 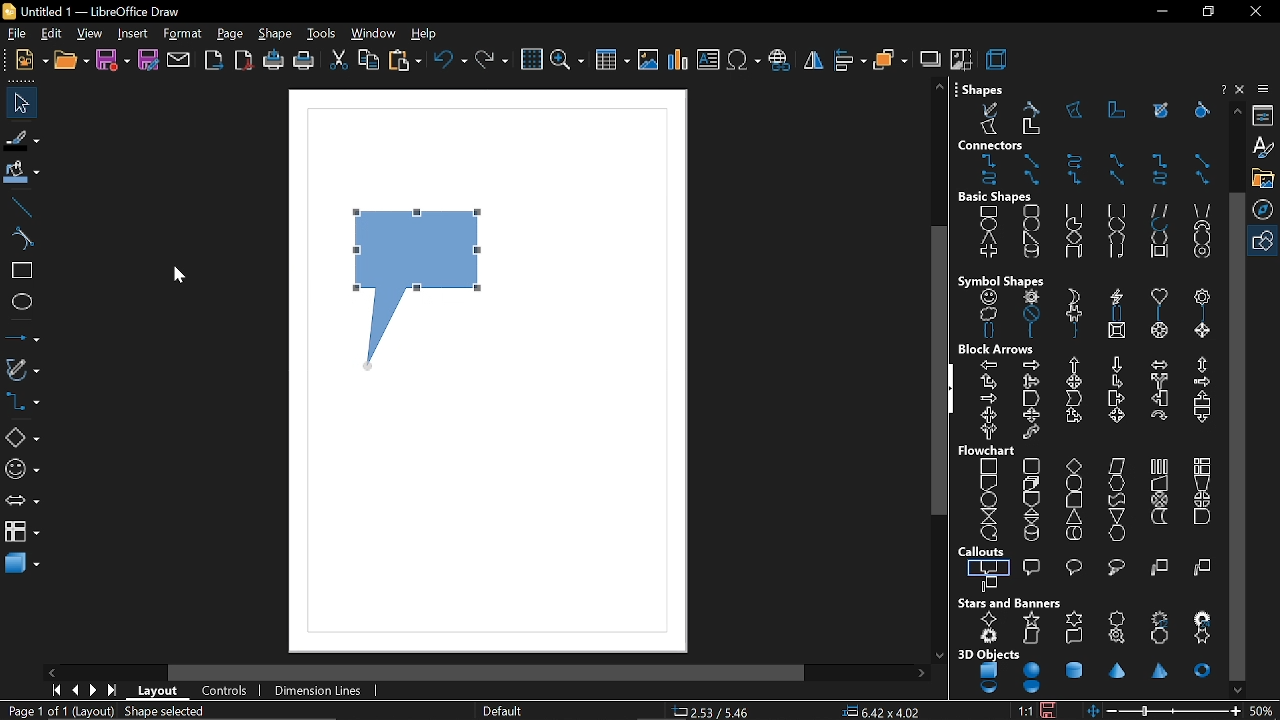 What do you see at coordinates (1204, 314) in the screenshot?
I see `right bracket` at bounding box center [1204, 314].